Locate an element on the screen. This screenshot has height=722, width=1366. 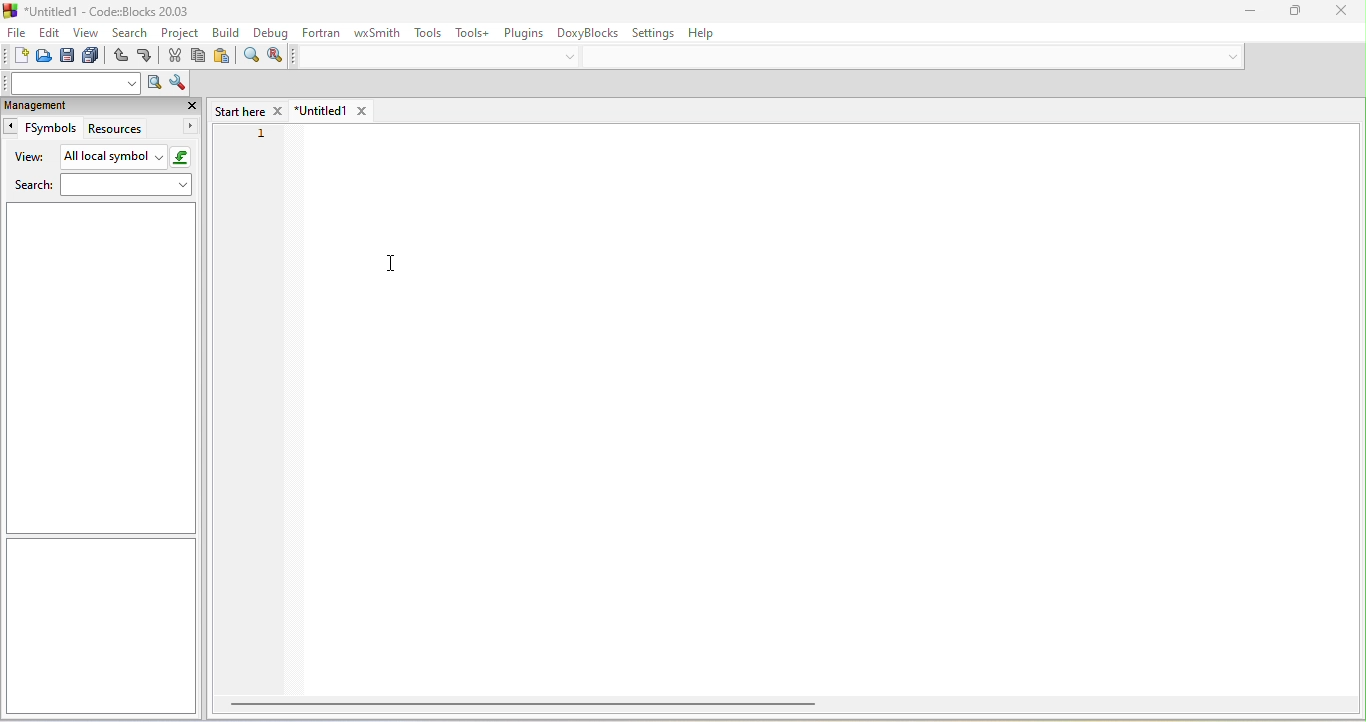
dropdown is located at coordinates (568, 58).